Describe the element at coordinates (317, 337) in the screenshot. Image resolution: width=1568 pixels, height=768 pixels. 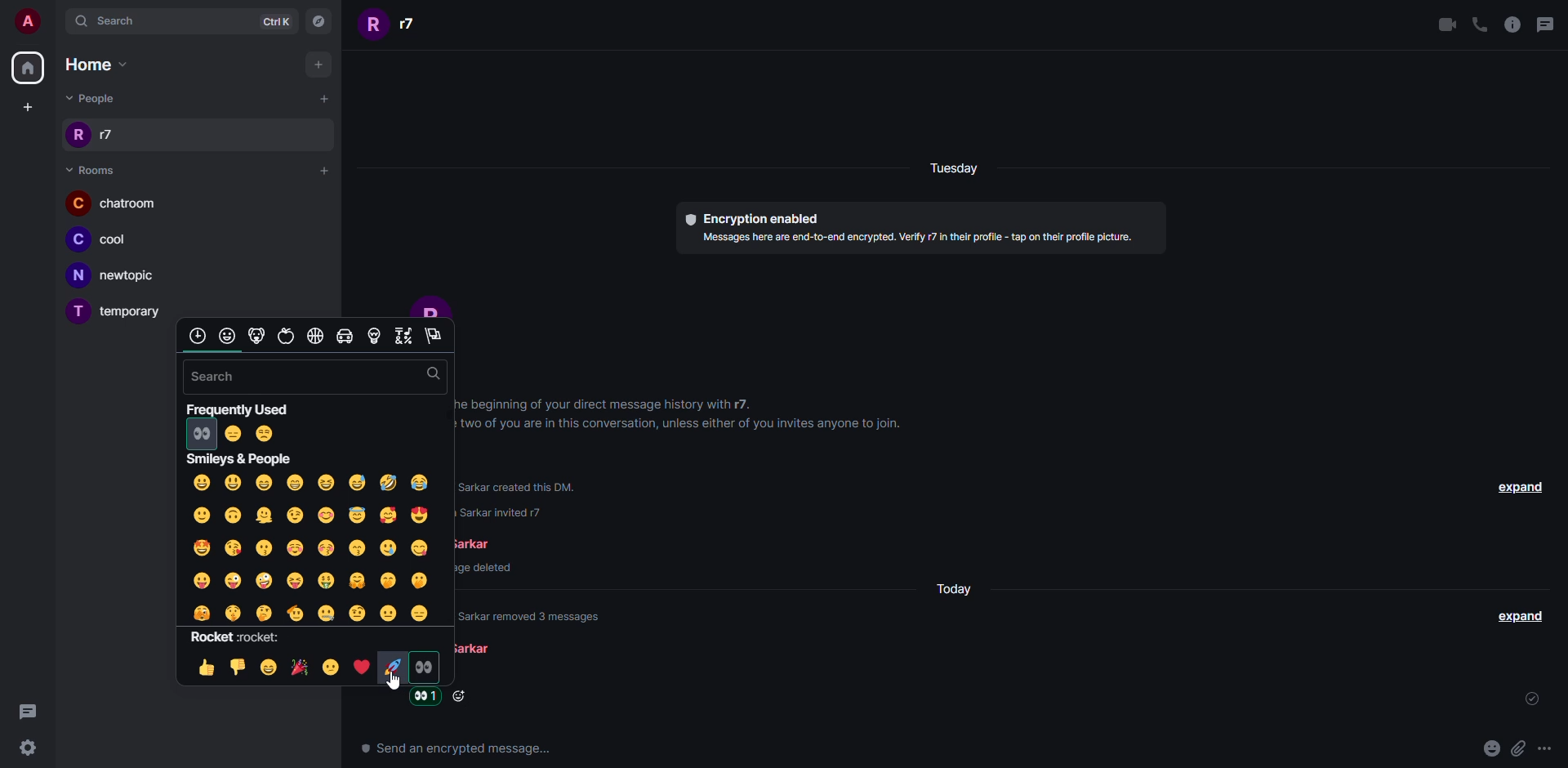
I see `category` at that location.